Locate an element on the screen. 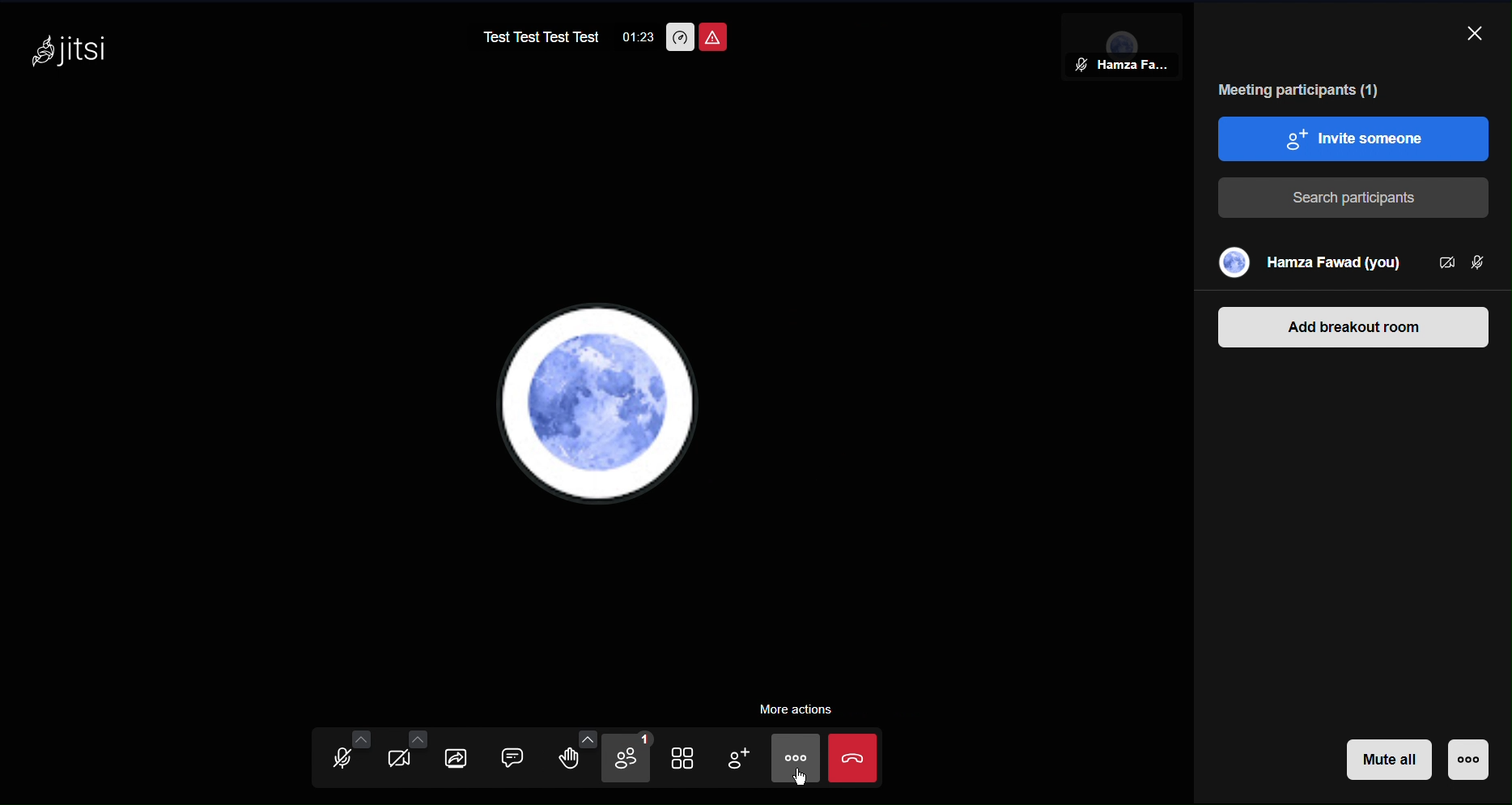 This screenshot has width=1512, height=805. Audio is located at coordinates (344, 756).